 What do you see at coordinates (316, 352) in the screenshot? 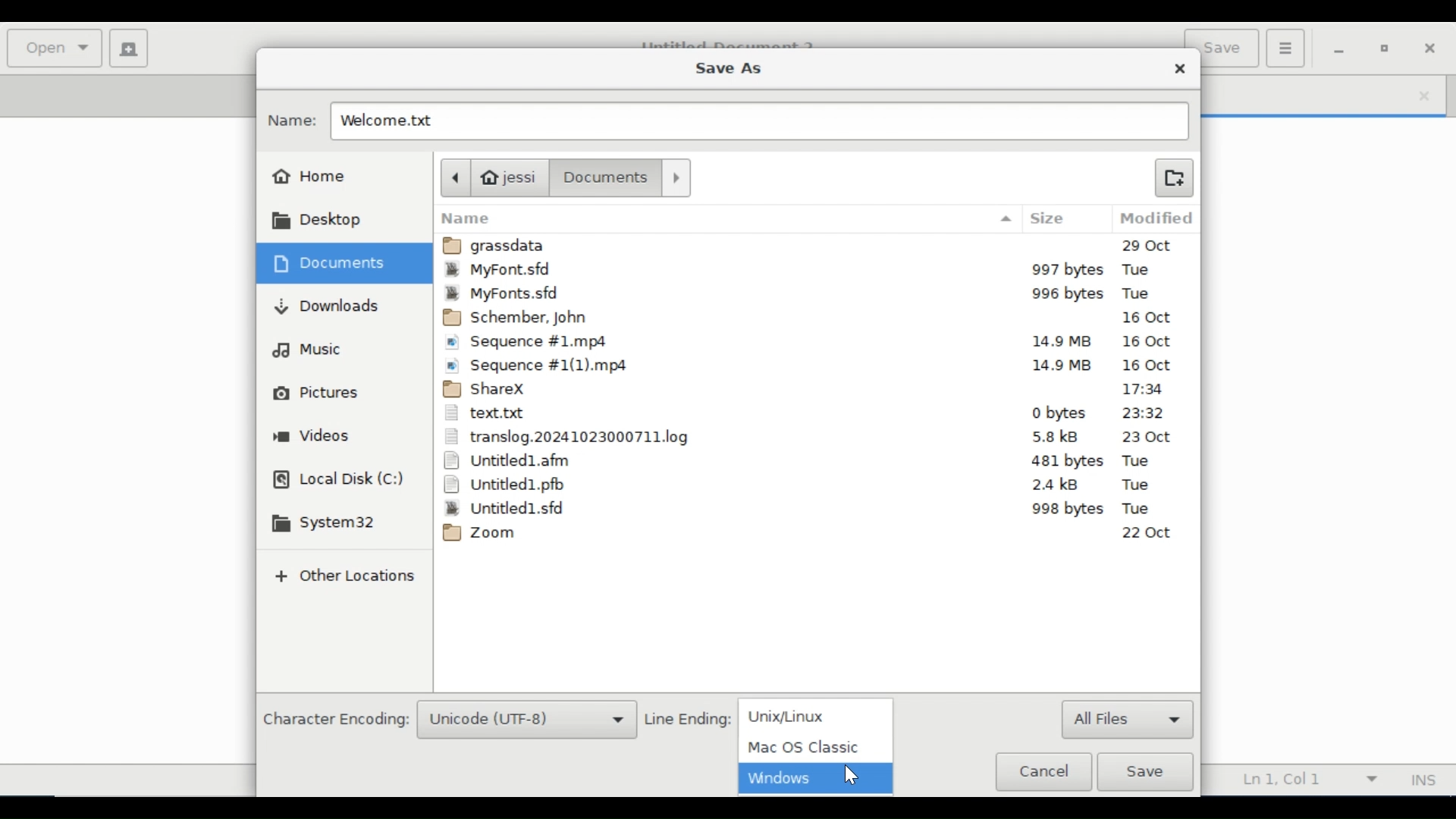
I see `Music` at bounding box center [316, 352].